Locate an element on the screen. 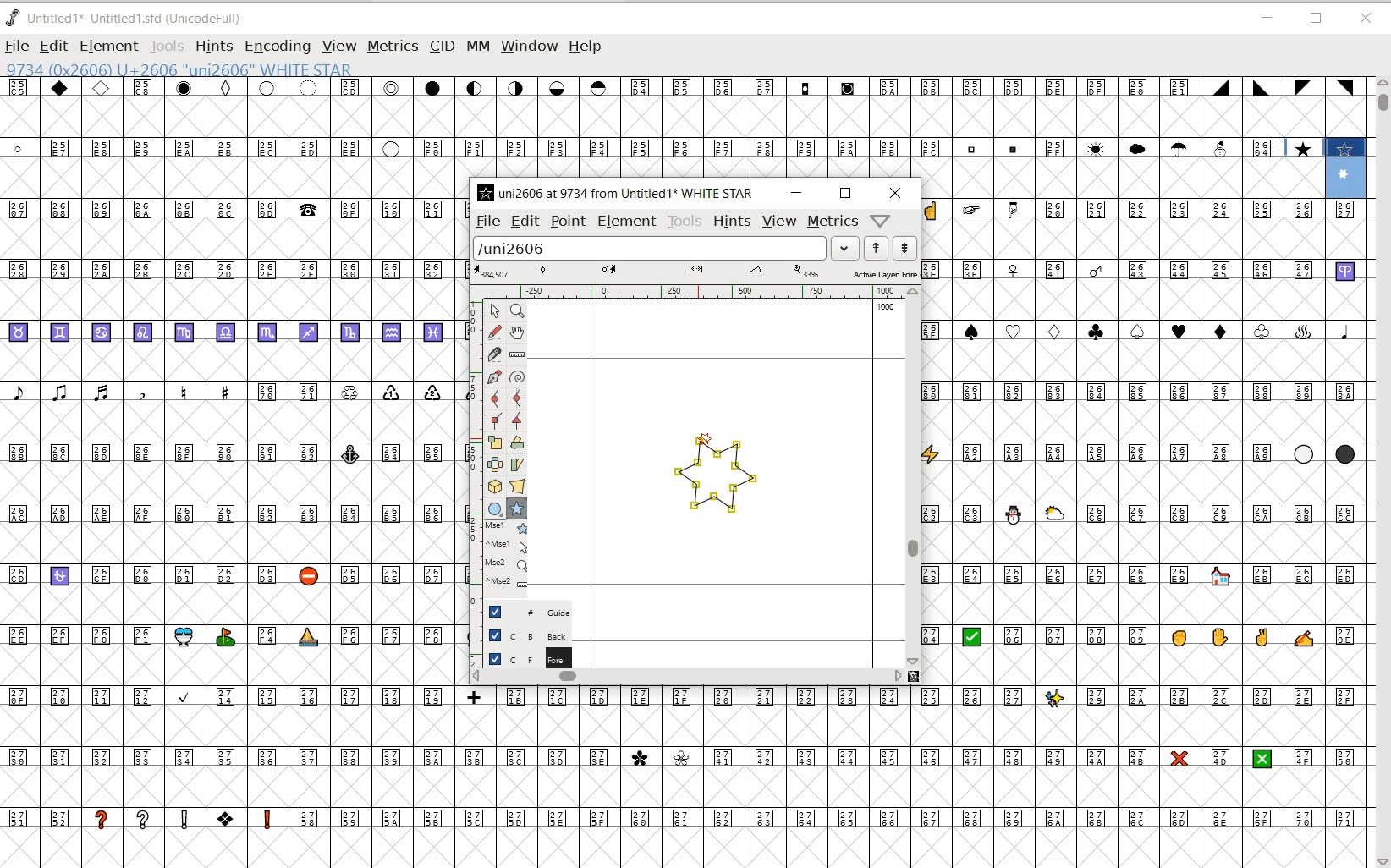 The width and height of the screenshot is (1391, 868). RULER is located at coordinates (691, 291).